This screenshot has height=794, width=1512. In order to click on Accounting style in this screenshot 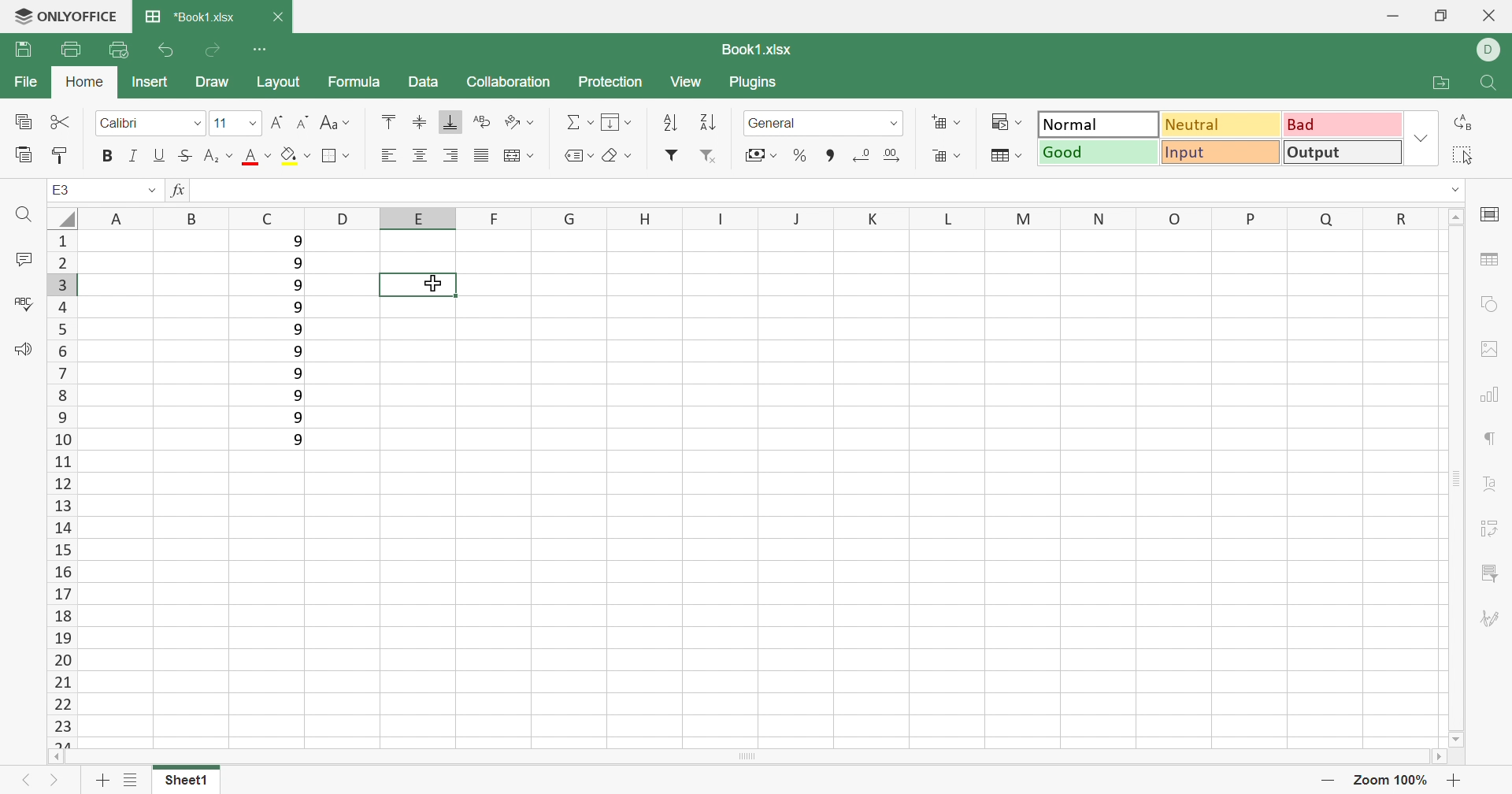, I will do `click(762, 155)`.